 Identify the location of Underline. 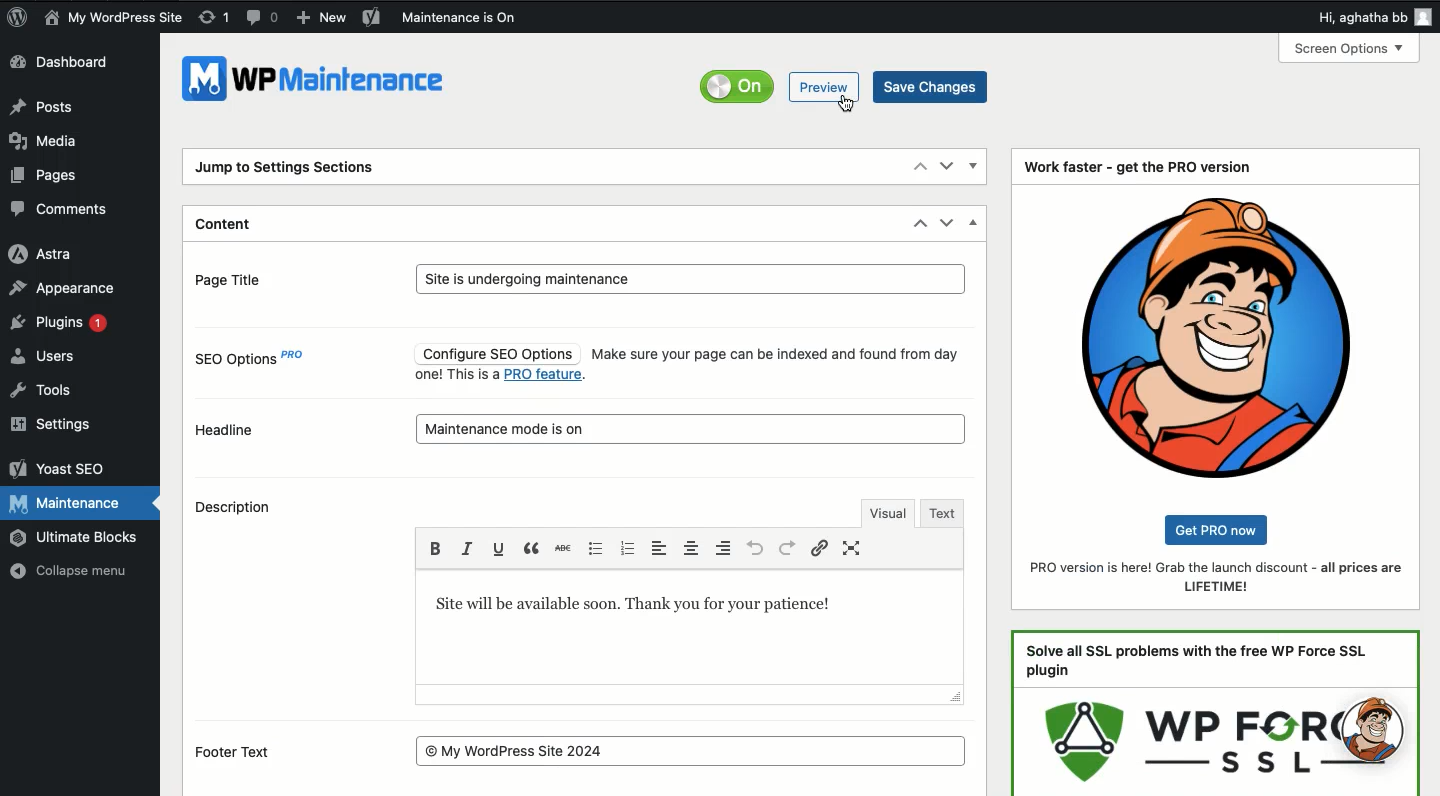
(499, 548).